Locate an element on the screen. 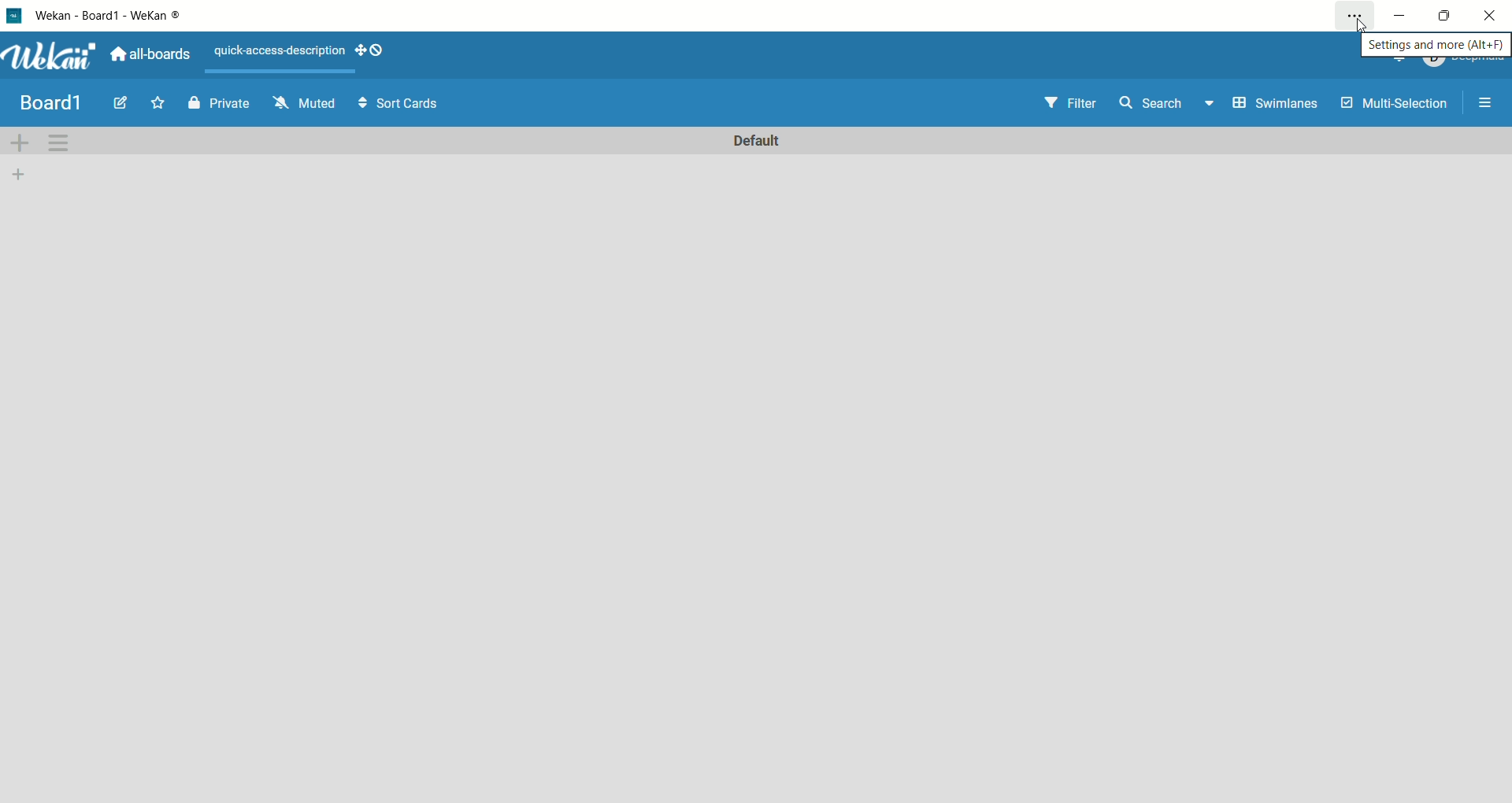  edit is located at coordinates (124, 106).